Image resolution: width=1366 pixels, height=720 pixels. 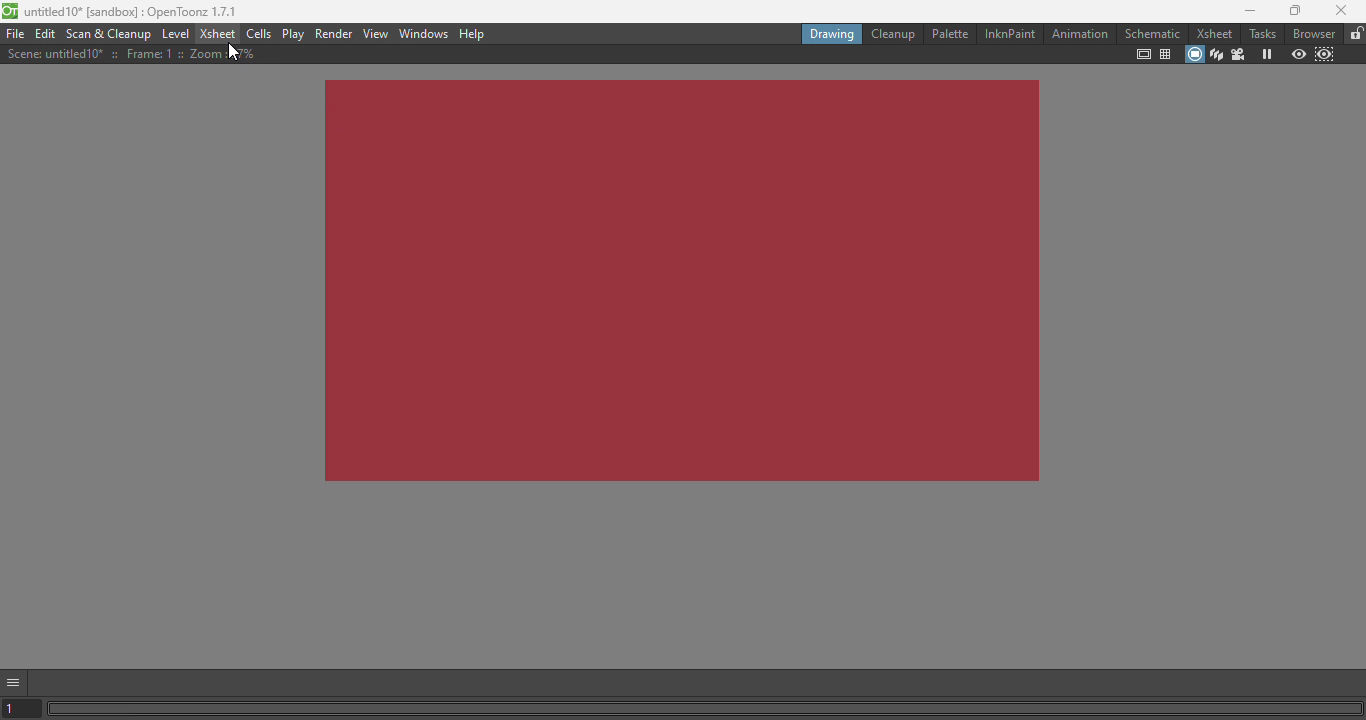 I want to click on Canvas, so click(x=680, y=282).